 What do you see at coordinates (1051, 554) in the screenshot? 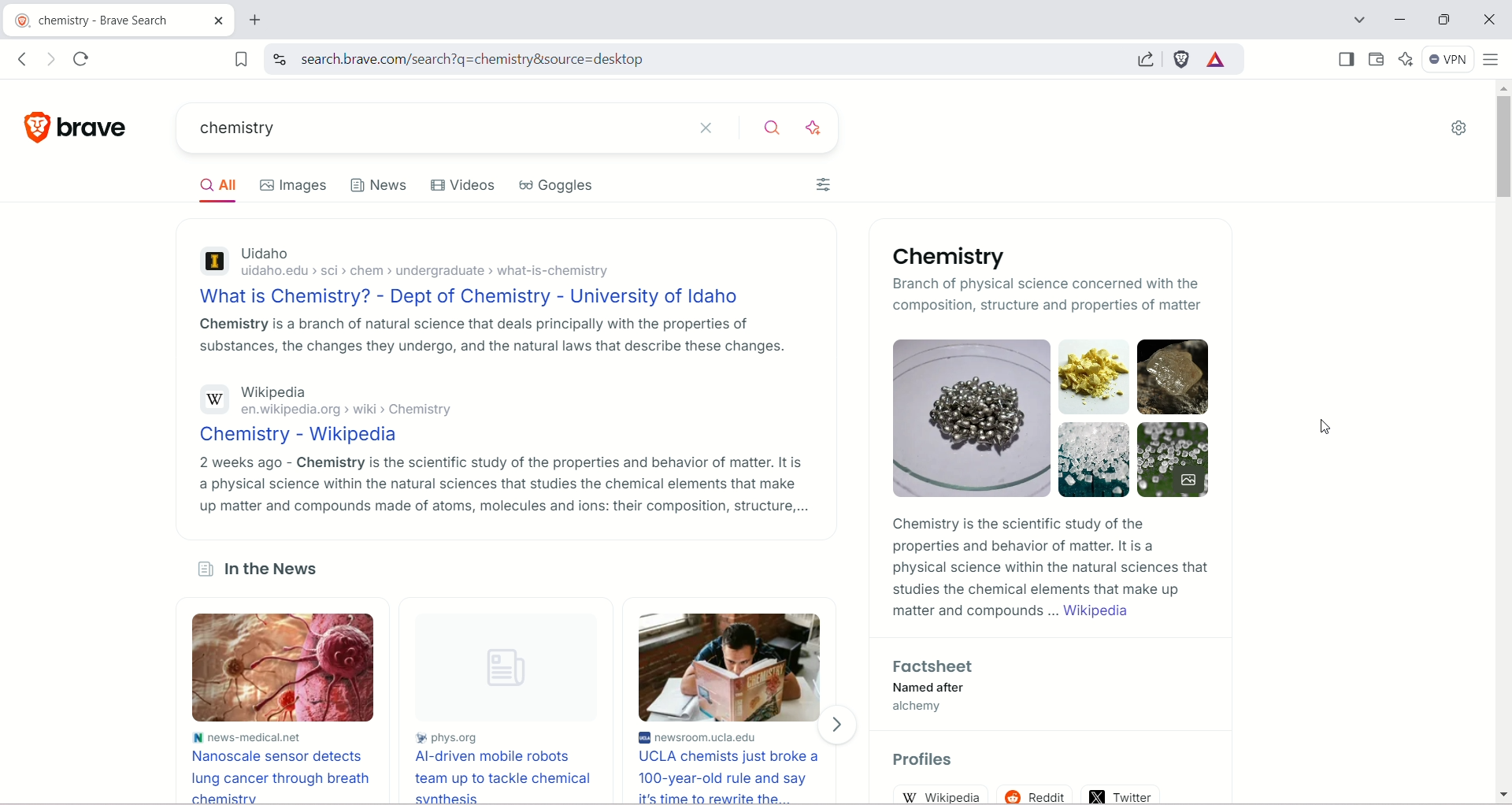
I see `Chemistry is the scientific study of the
properties and behavior of matter. It is a
physical science within the natural sciences that
studies the chemical elements that make up` at bounding box center [1051, 554].